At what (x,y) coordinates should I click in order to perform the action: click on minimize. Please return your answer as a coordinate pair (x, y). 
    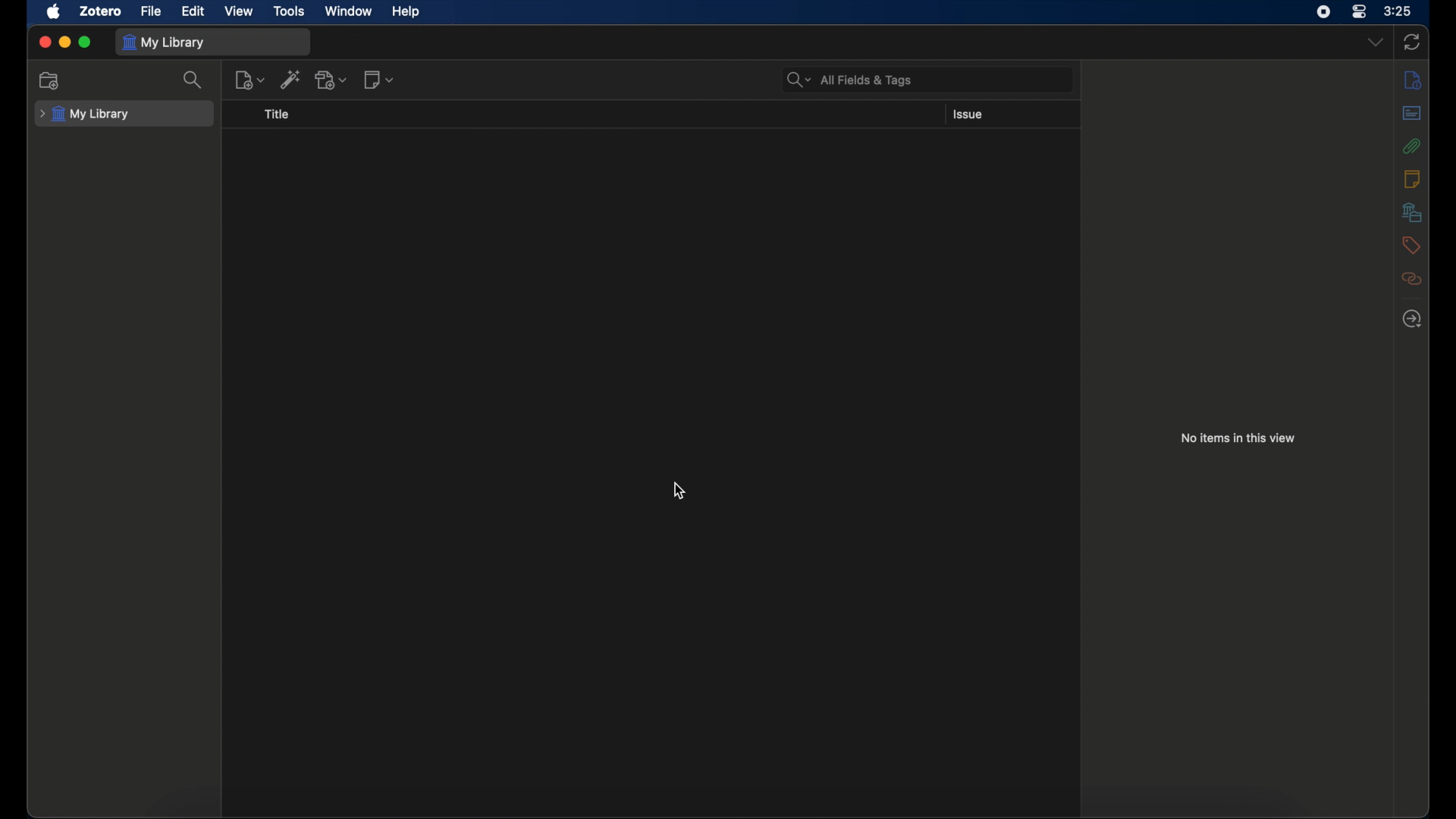
    Looking at the image, I should click on (65, 42).